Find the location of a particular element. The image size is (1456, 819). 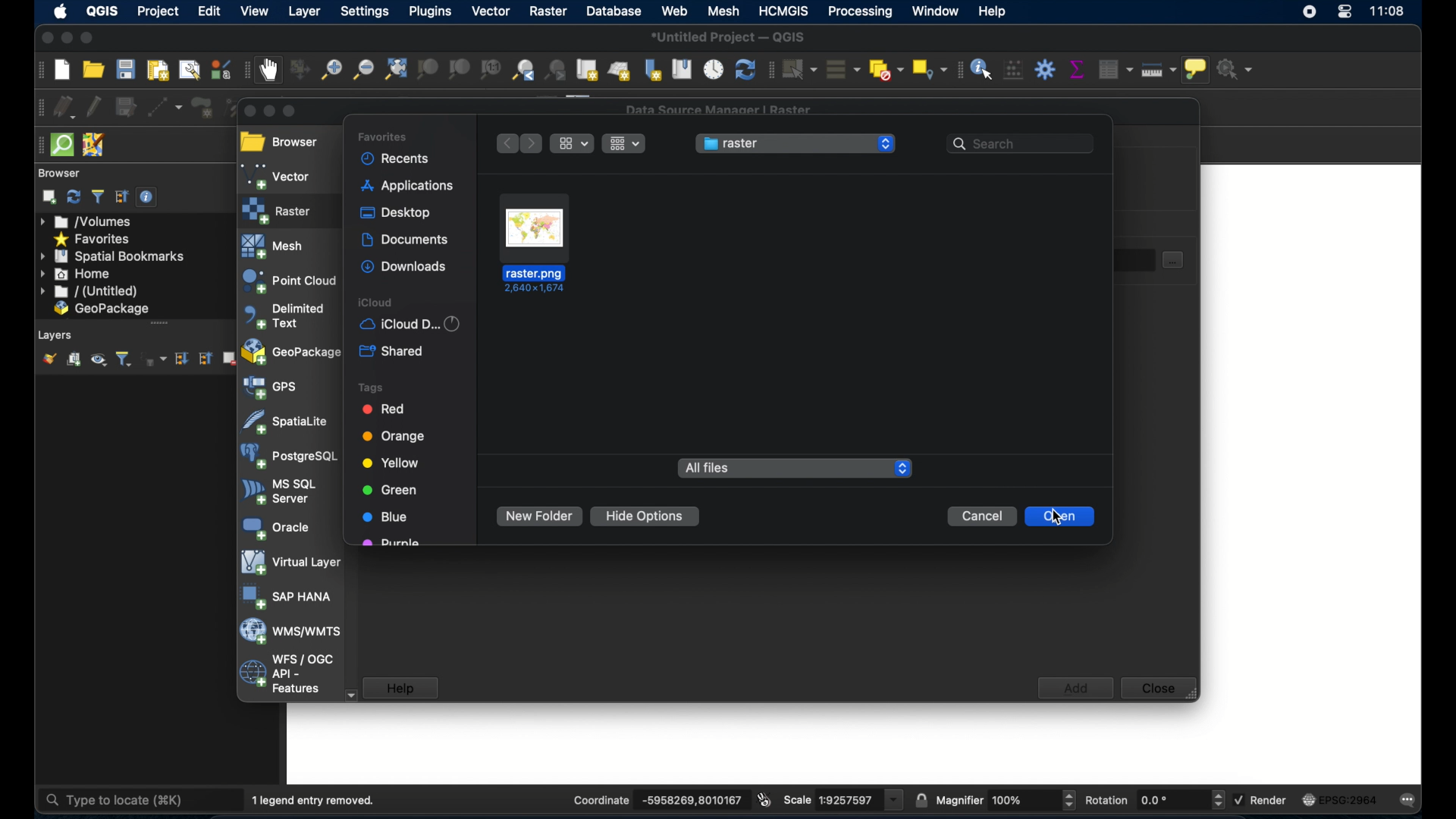

add selected layers is located at coordinates (49, 197).